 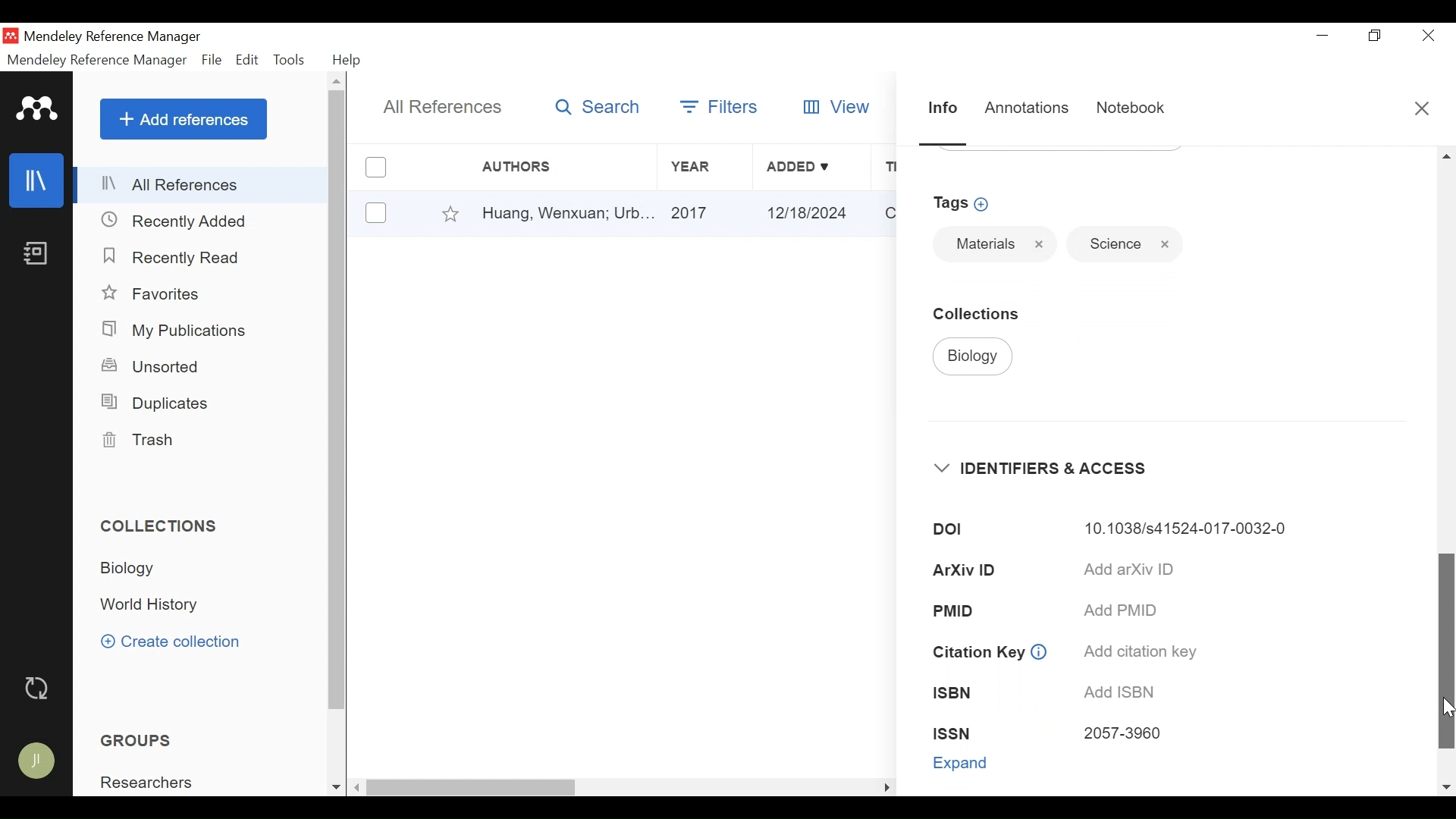 What do you see at coordinates (1189, 529) in the screenshot?
I see `10.1038/s41524-017-0032-0` at bounding box center [1189, 529].